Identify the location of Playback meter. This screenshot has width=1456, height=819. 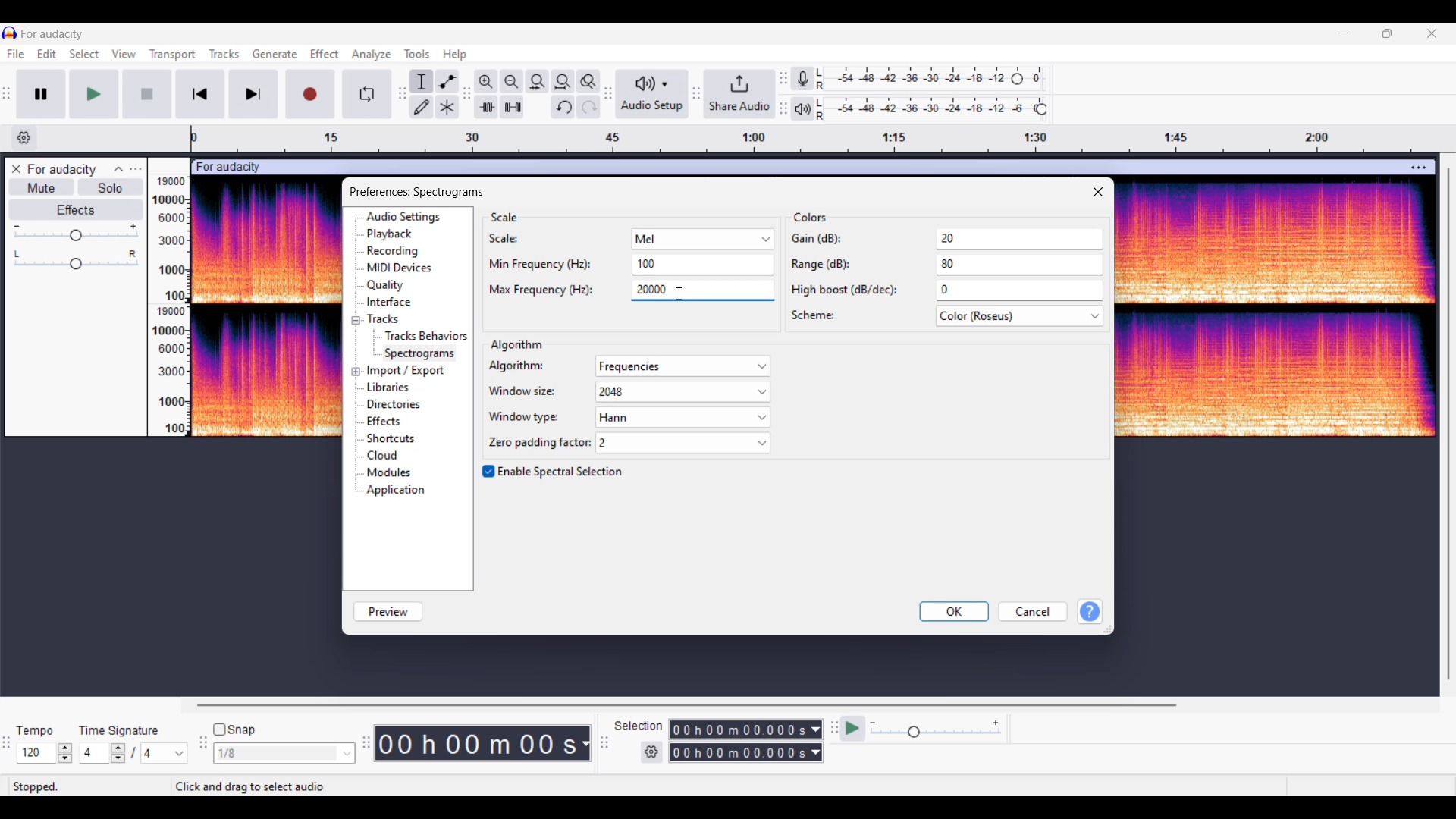
(803, 108).